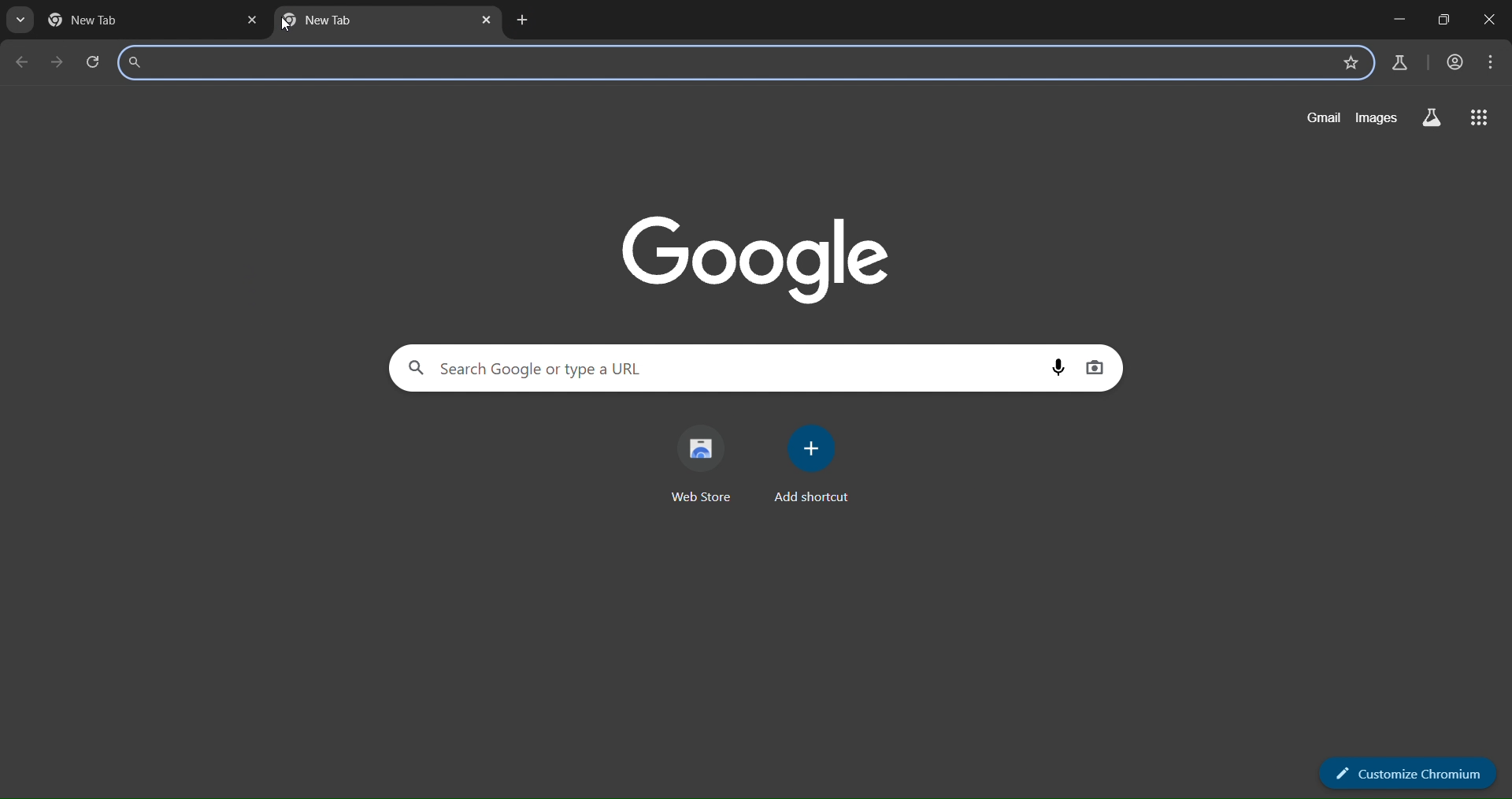 Image resolution: width=1512 pixels, height=799 pixels. What do you see at coordinates (524, 22) in the screenshot?
I see `add new tab` at bounding box center [524, 22].